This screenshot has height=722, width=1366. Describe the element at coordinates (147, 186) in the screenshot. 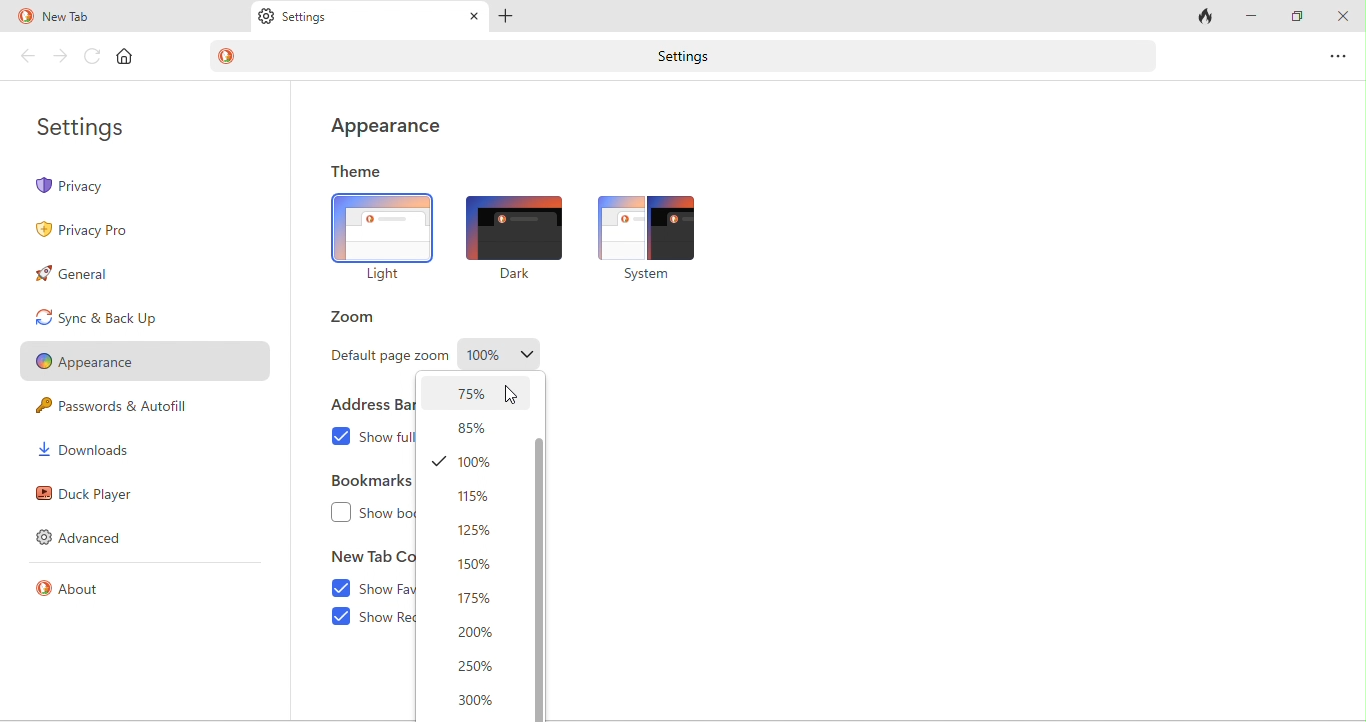

I see `privacy` at that location.